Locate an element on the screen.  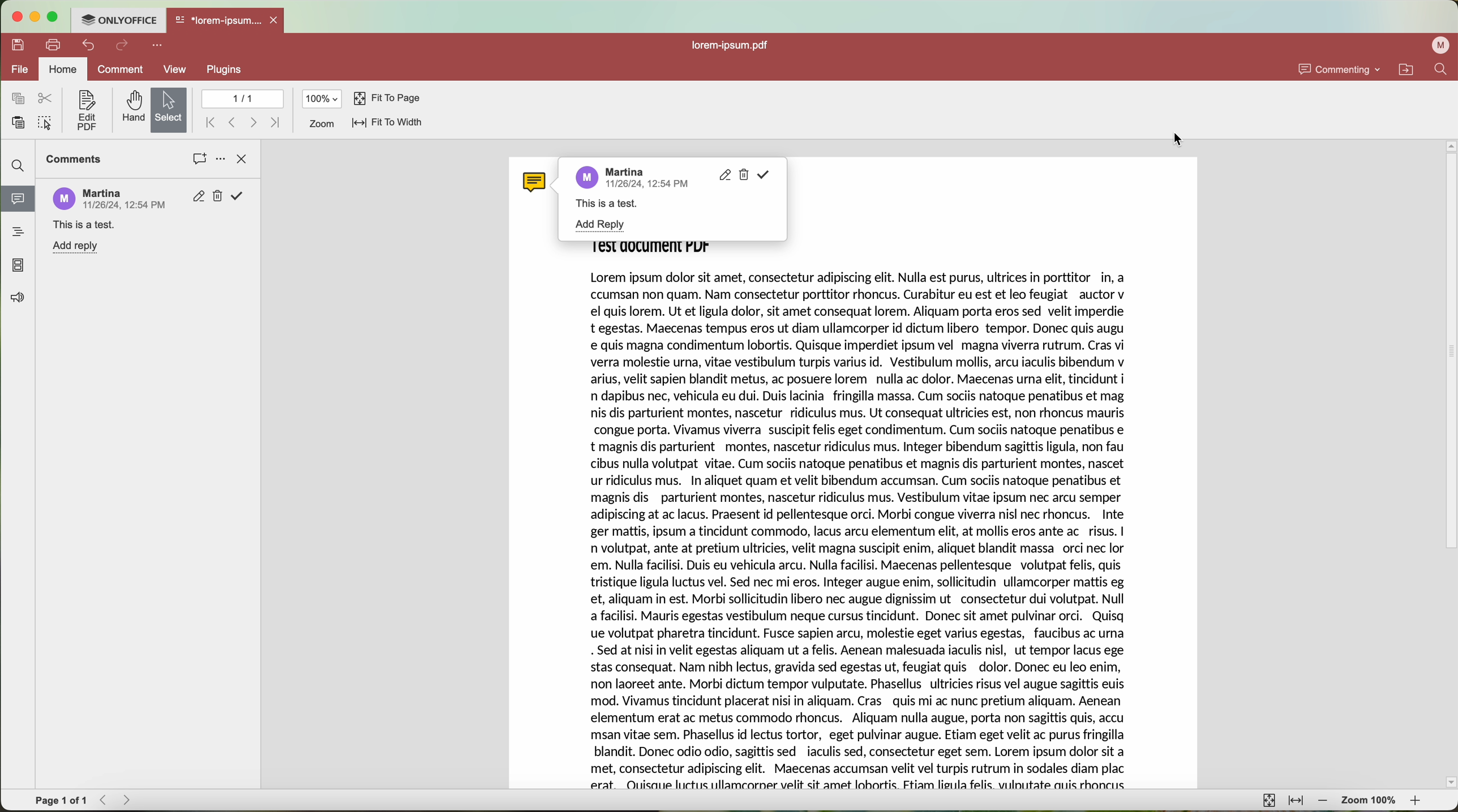
date and hour is located at coordinates (659, 189).